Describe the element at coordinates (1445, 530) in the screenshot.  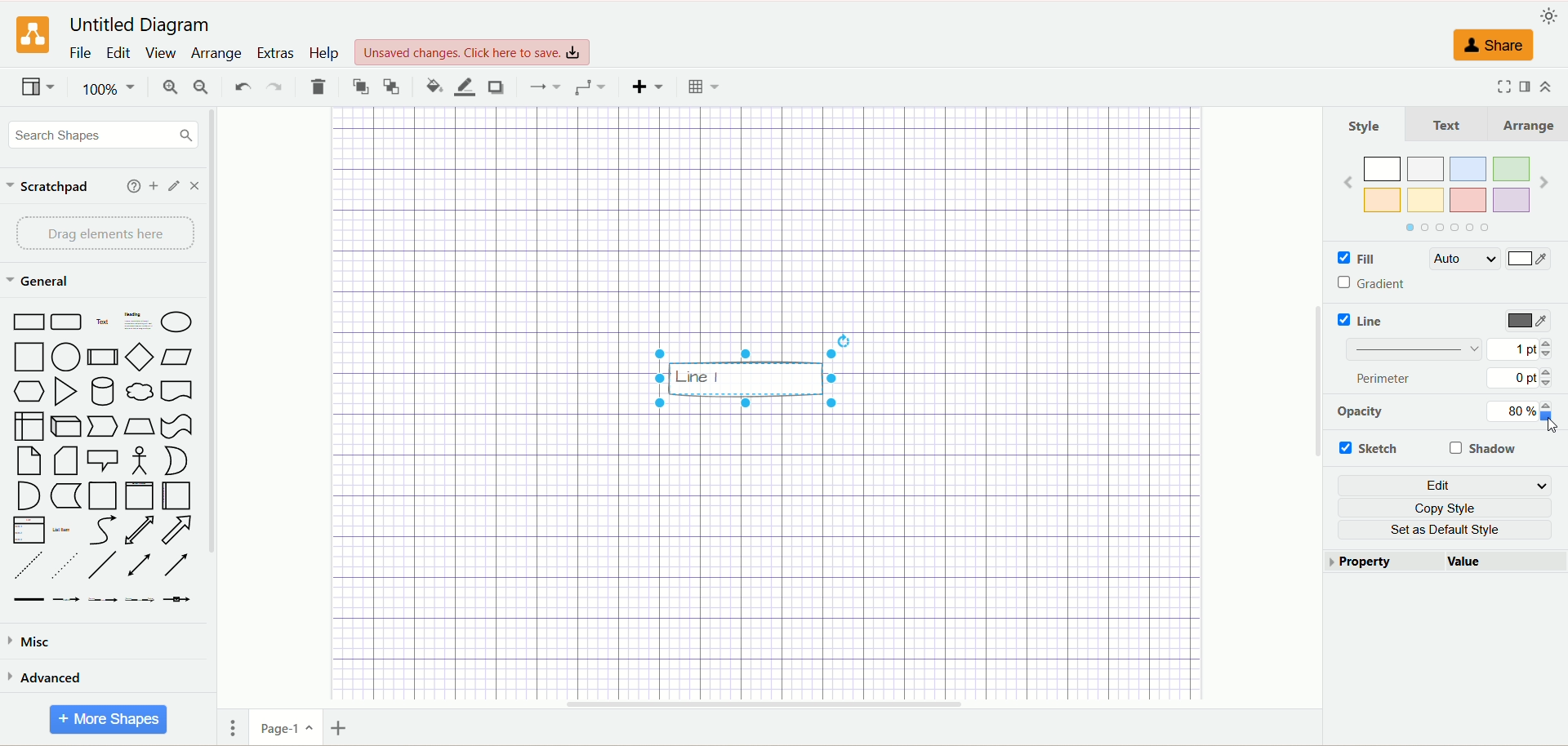
I see `set as default style` at that location.